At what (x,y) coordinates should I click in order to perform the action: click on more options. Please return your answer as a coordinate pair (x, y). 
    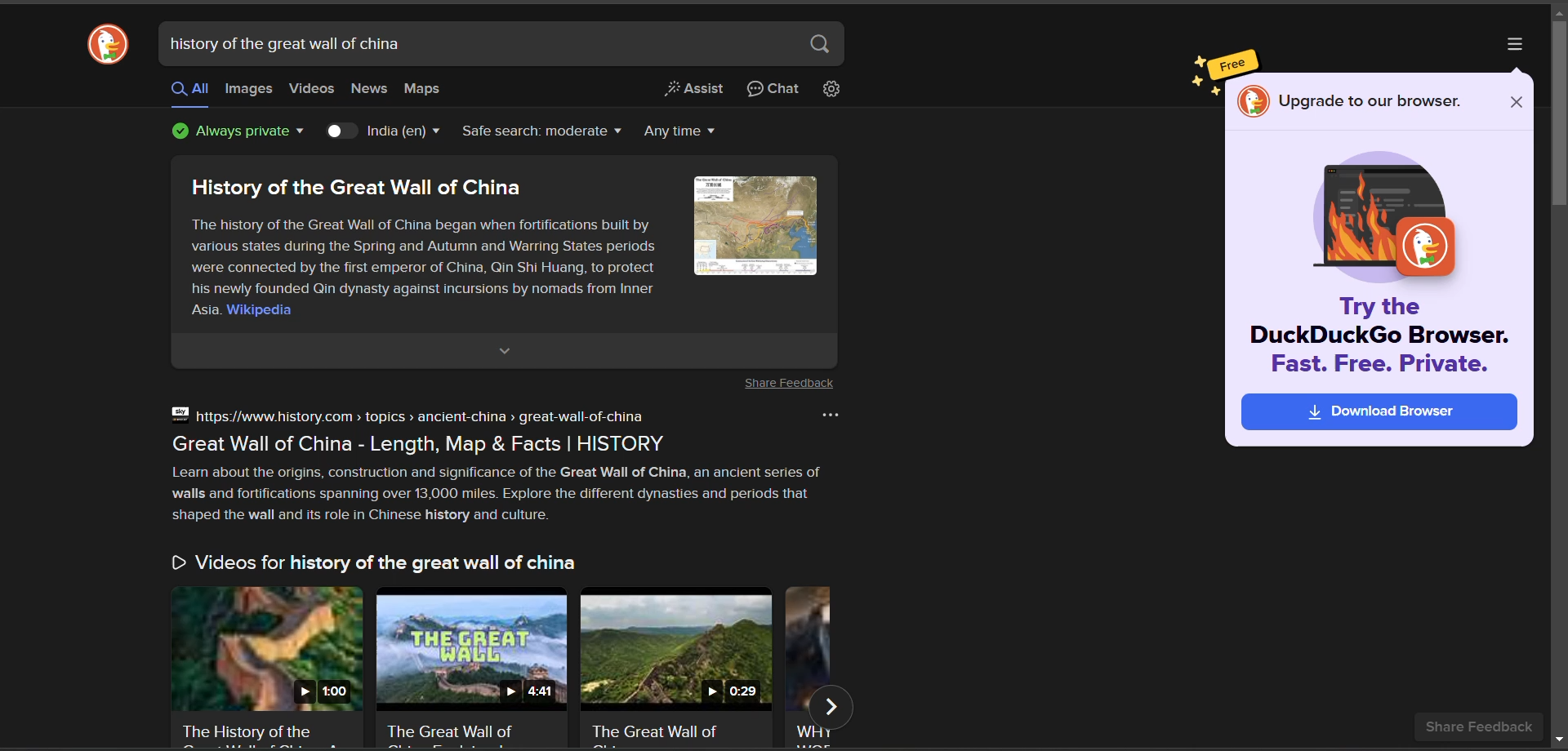
    Looking at the image, I should click on (832, 414).